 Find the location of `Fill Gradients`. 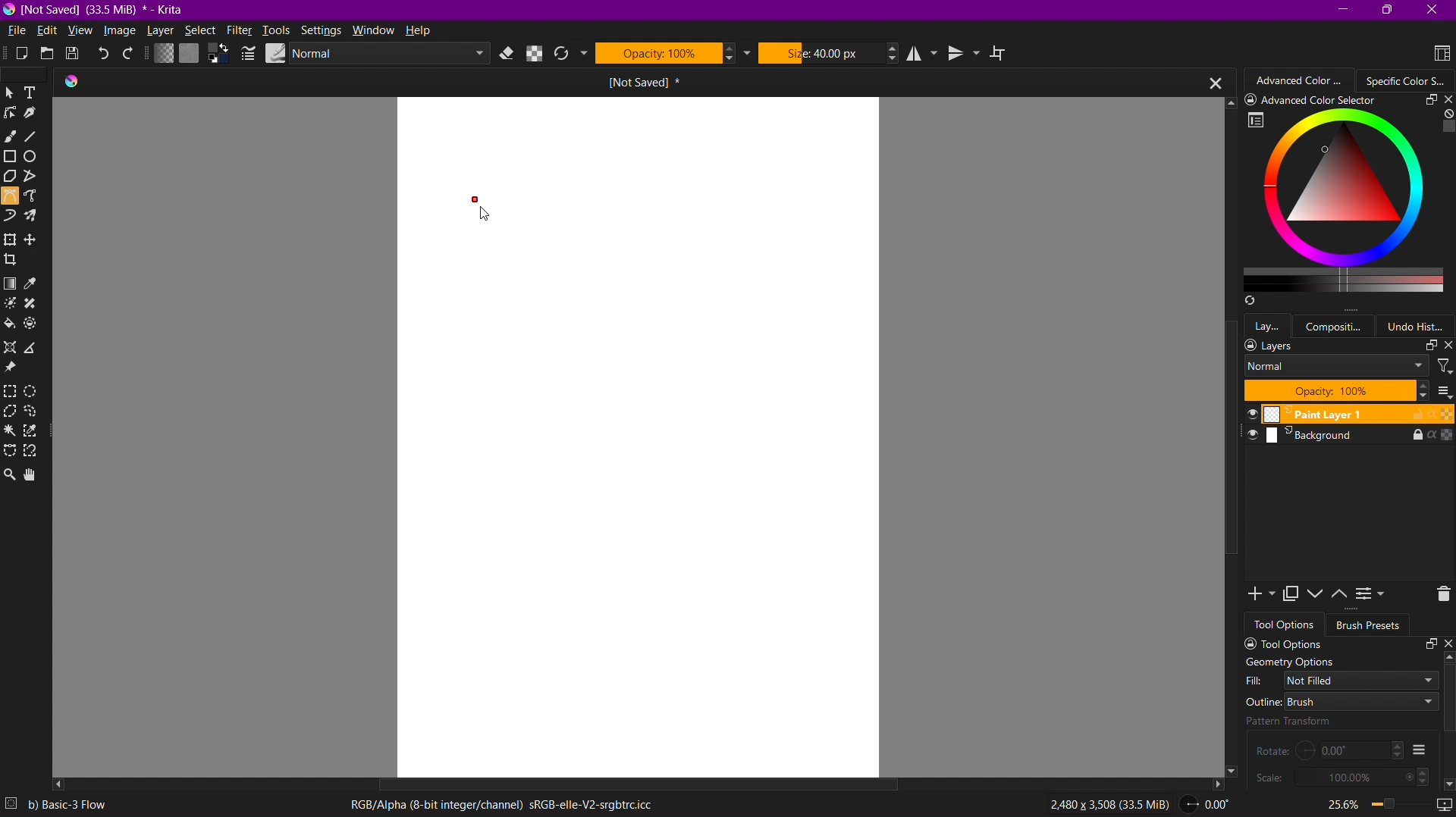

Fill Gradients is located at coordinates (162, 55).